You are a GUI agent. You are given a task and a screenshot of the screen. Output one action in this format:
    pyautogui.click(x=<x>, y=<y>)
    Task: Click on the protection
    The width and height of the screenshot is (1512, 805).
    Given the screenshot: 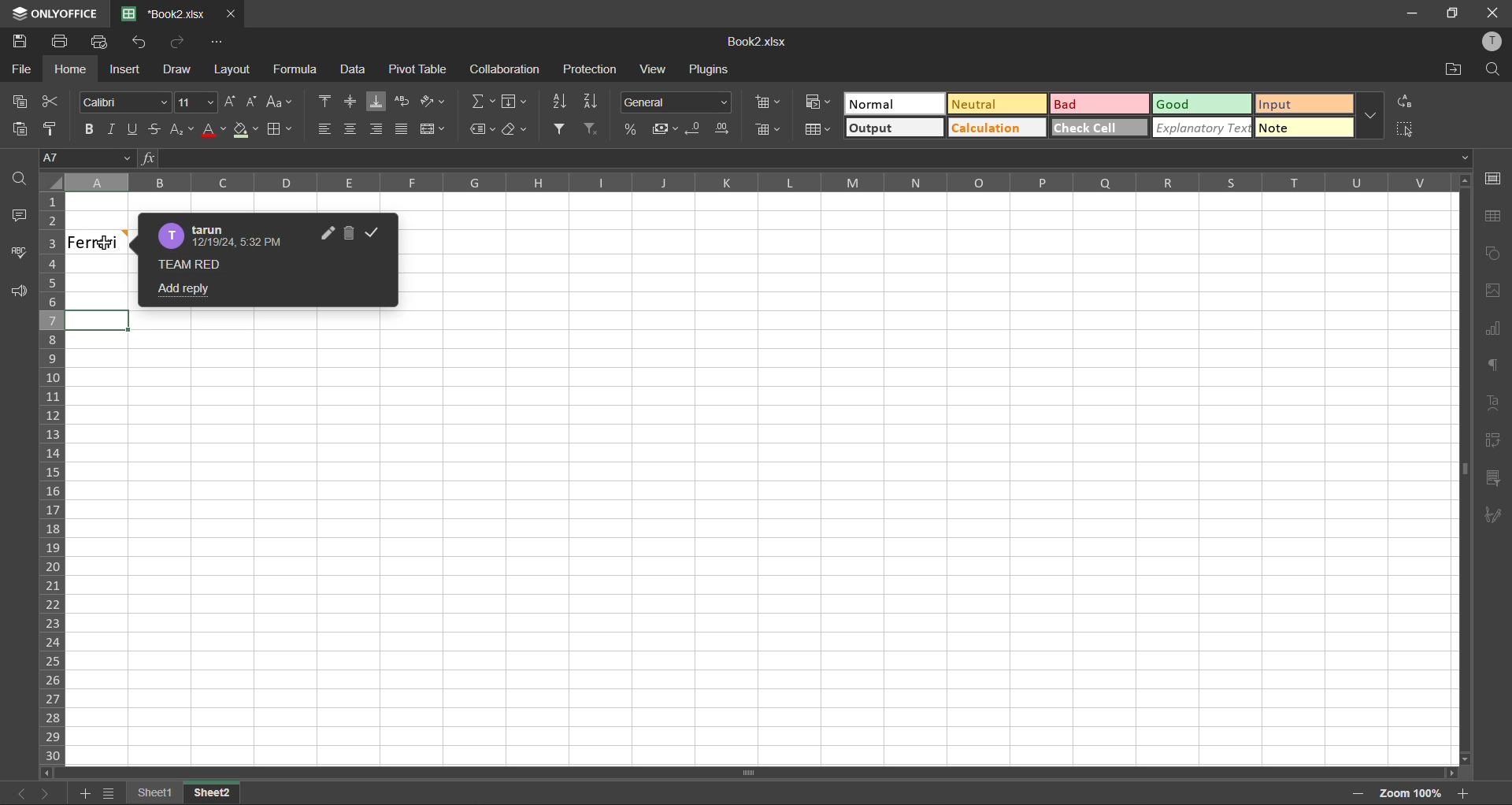 What is the action you would take?
    pyautogui.click(x=592, y=71)
    